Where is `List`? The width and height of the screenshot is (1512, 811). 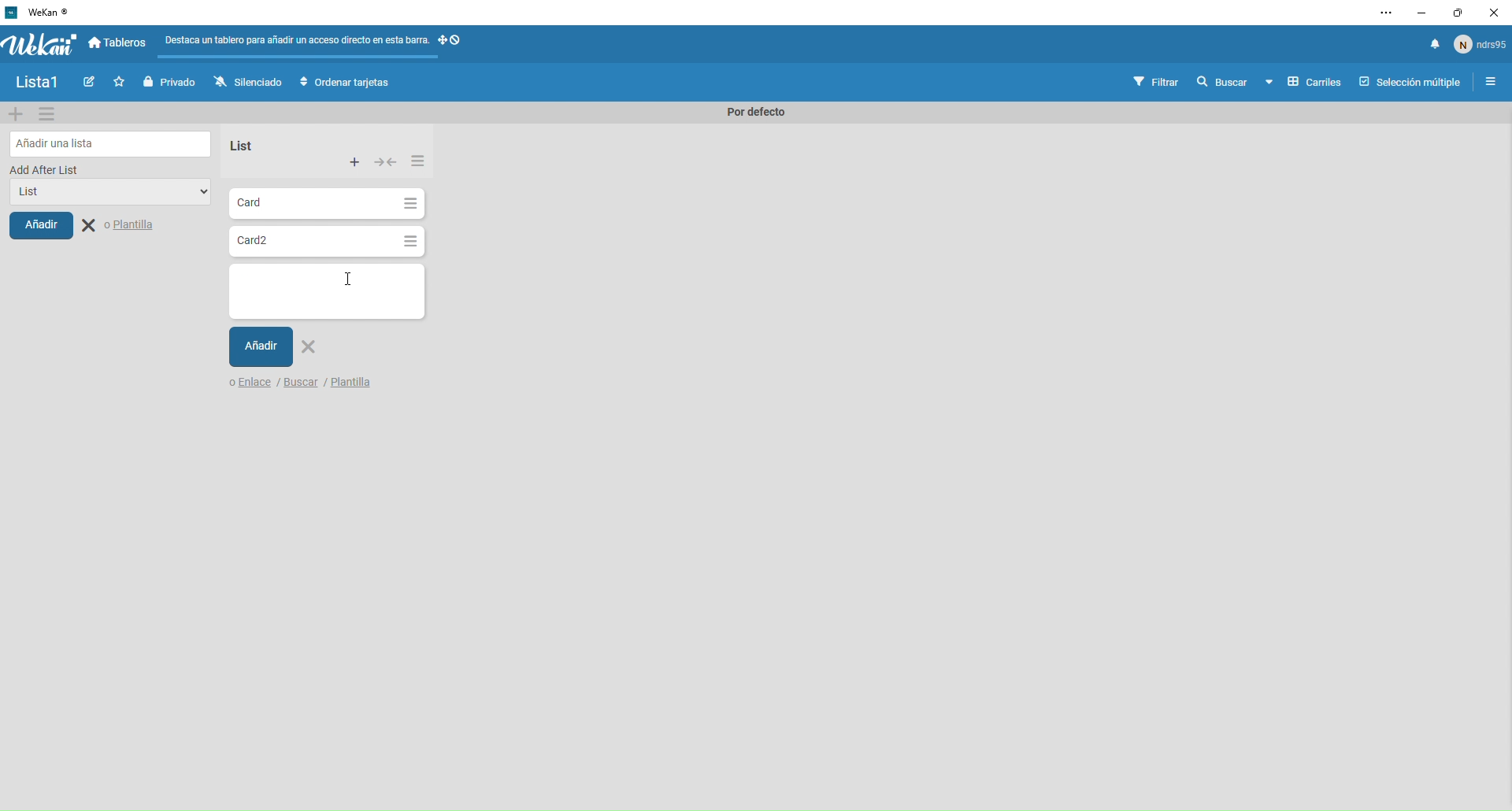 List is located at coordinates (104, 194).